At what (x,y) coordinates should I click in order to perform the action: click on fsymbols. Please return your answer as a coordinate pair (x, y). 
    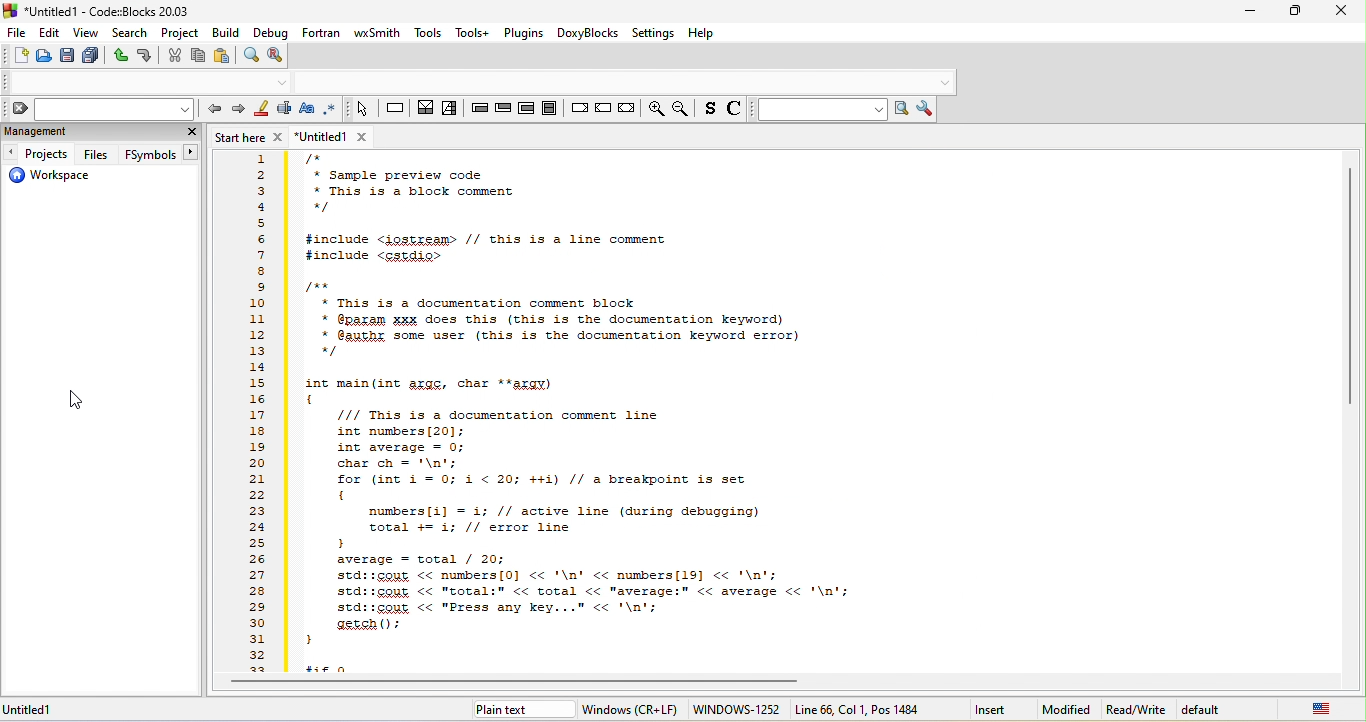
    Looking at the image, I should click on (160, 154).